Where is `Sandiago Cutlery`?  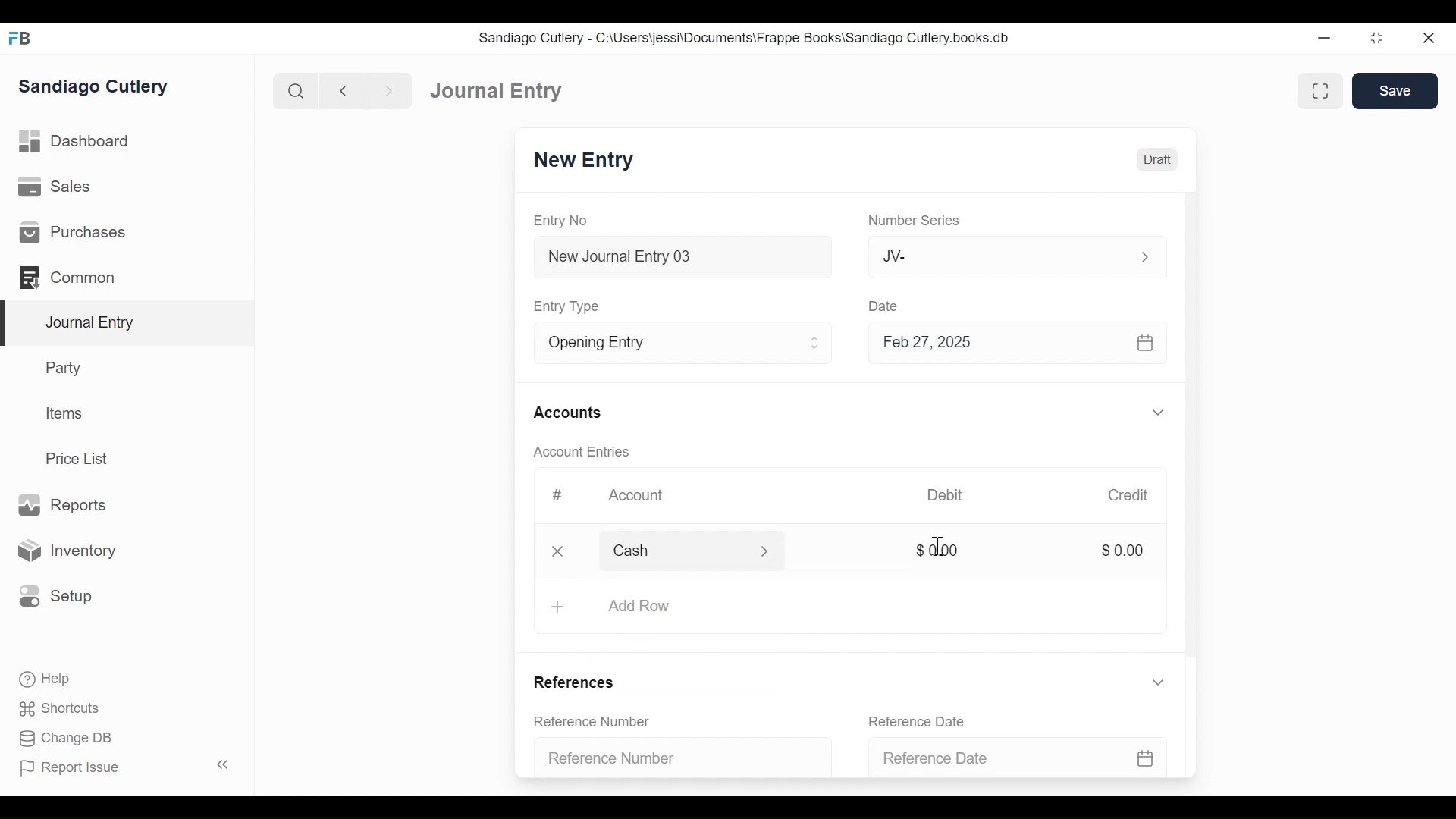 Sandiago Cutlery is located at coordinates (96, 88).